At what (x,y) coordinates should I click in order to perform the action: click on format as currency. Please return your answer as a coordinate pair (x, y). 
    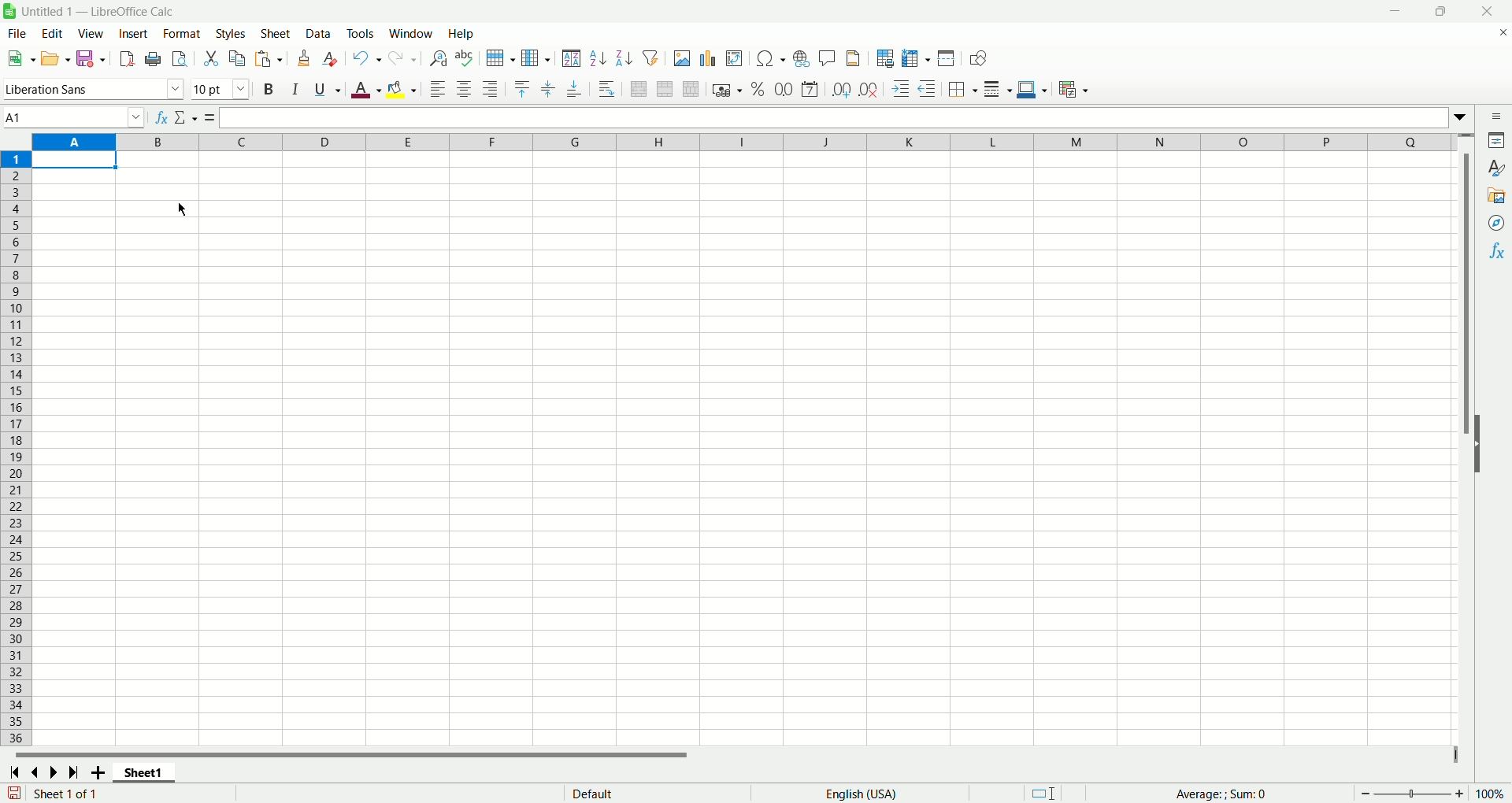
    Looking at the image, I should click on (725, 91).